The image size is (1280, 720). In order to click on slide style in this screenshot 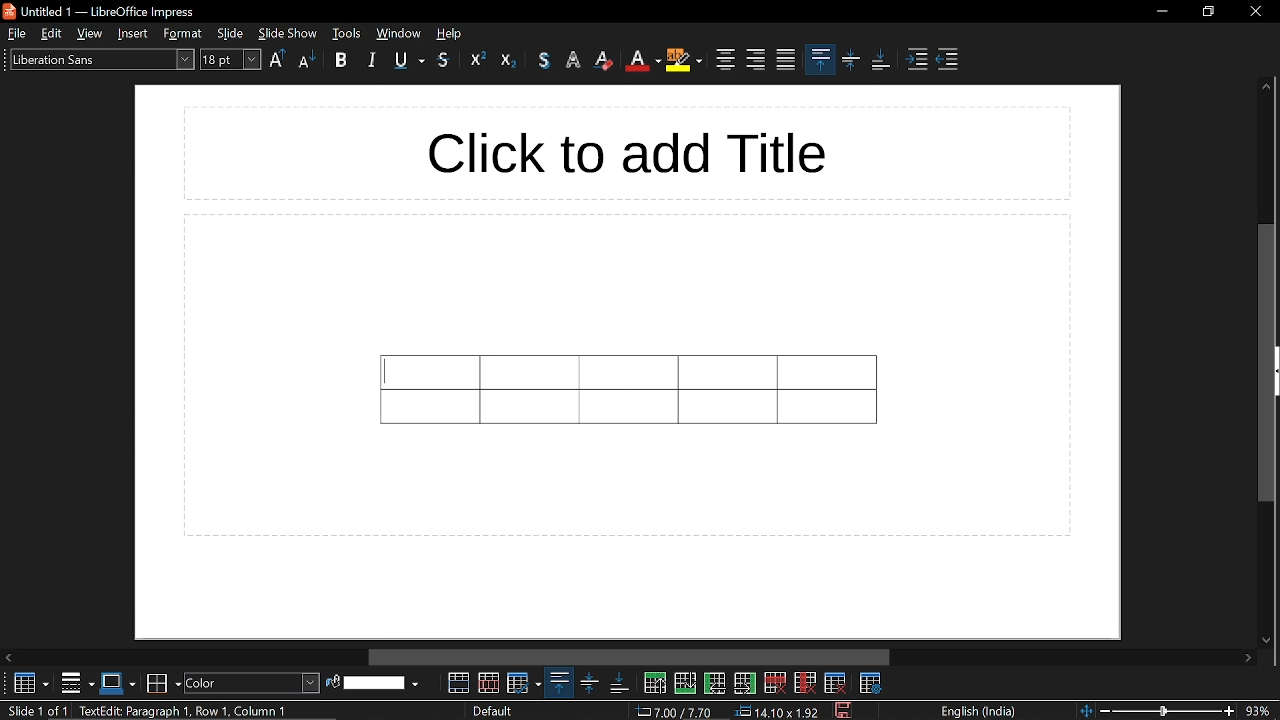, I will do `click(494, 711)`.